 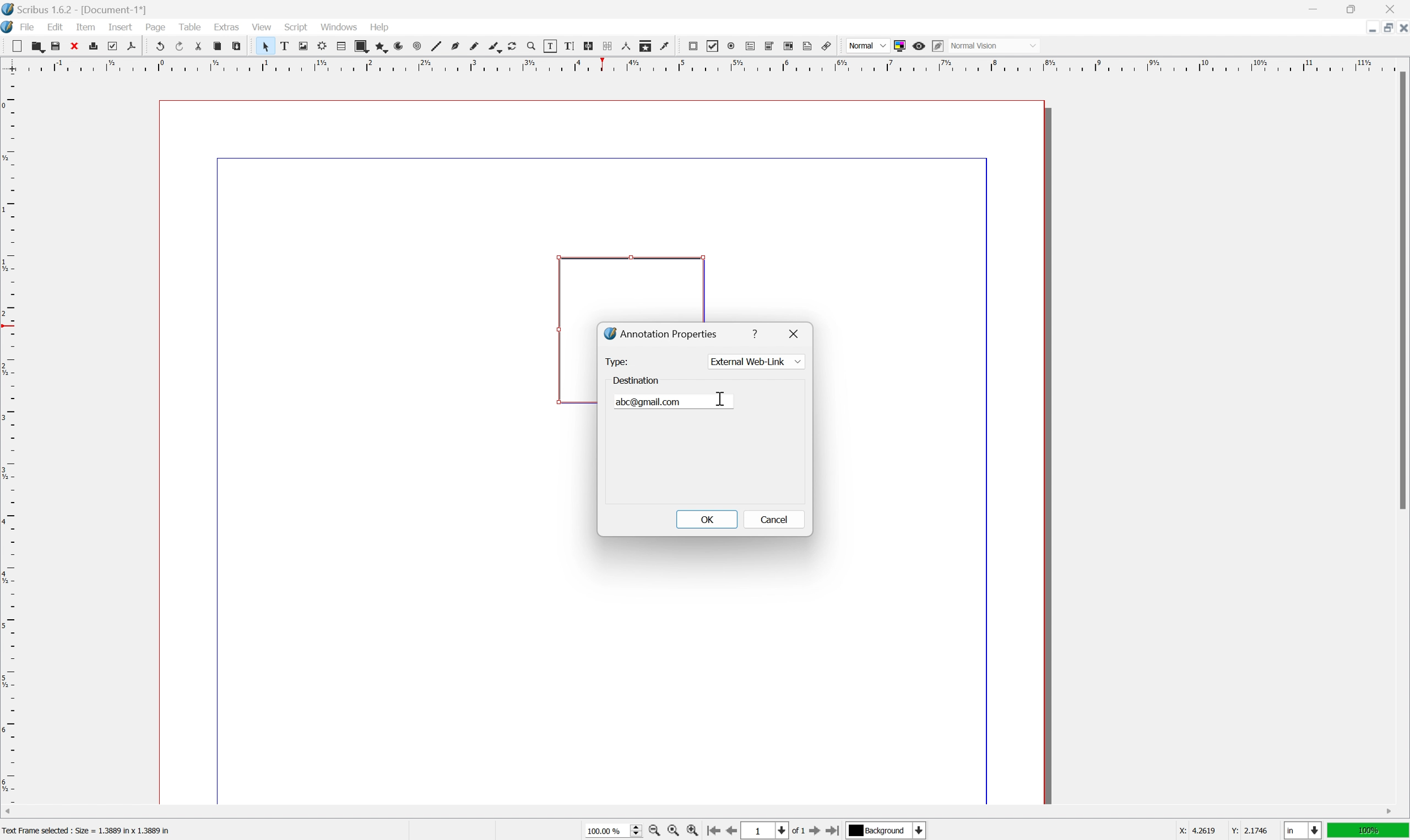 I want to click on close, so click(x=74, y=46).